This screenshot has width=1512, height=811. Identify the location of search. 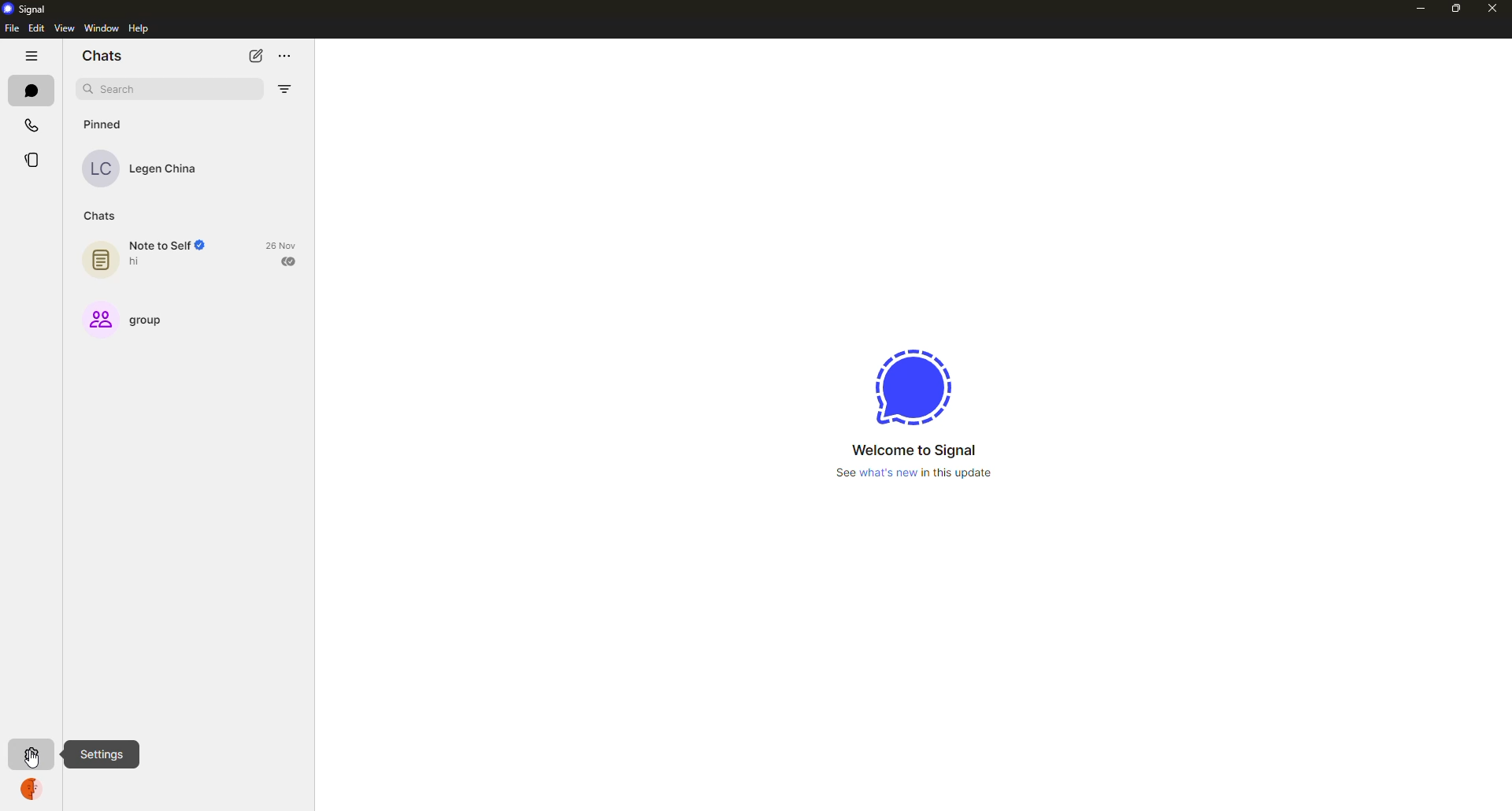
(121, 90).